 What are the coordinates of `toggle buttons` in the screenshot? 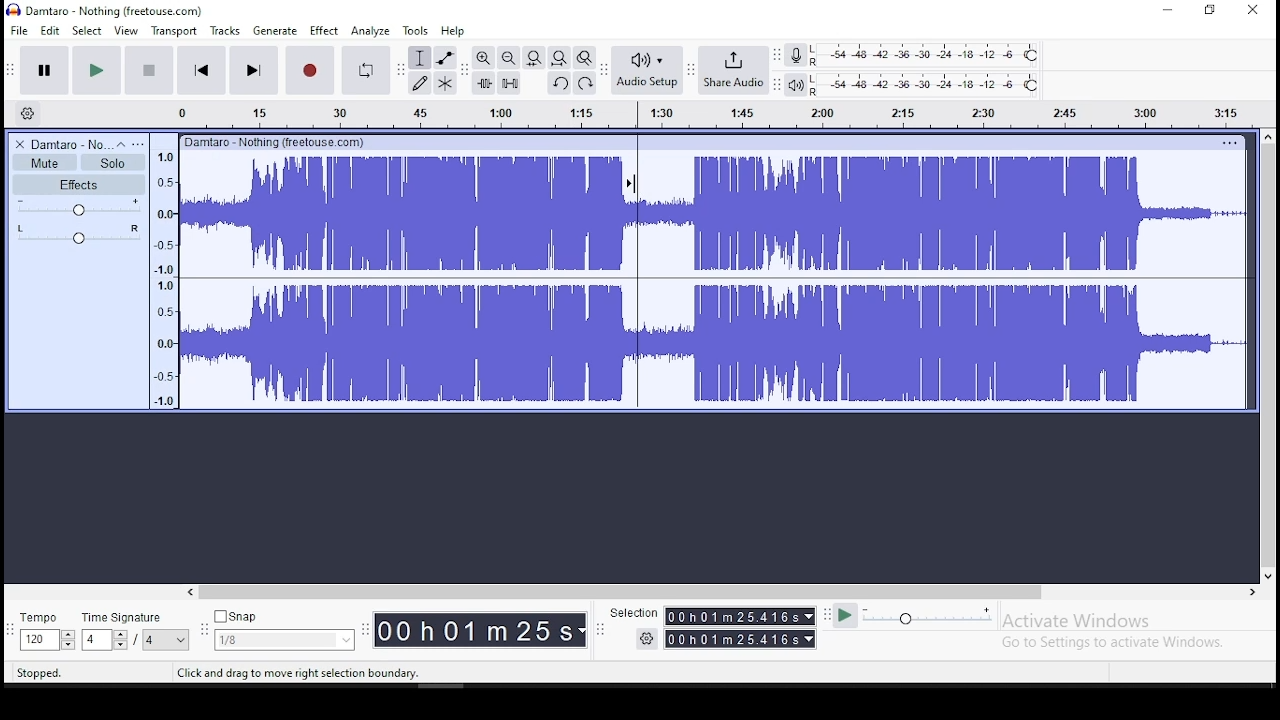 It's located at (105, 640).